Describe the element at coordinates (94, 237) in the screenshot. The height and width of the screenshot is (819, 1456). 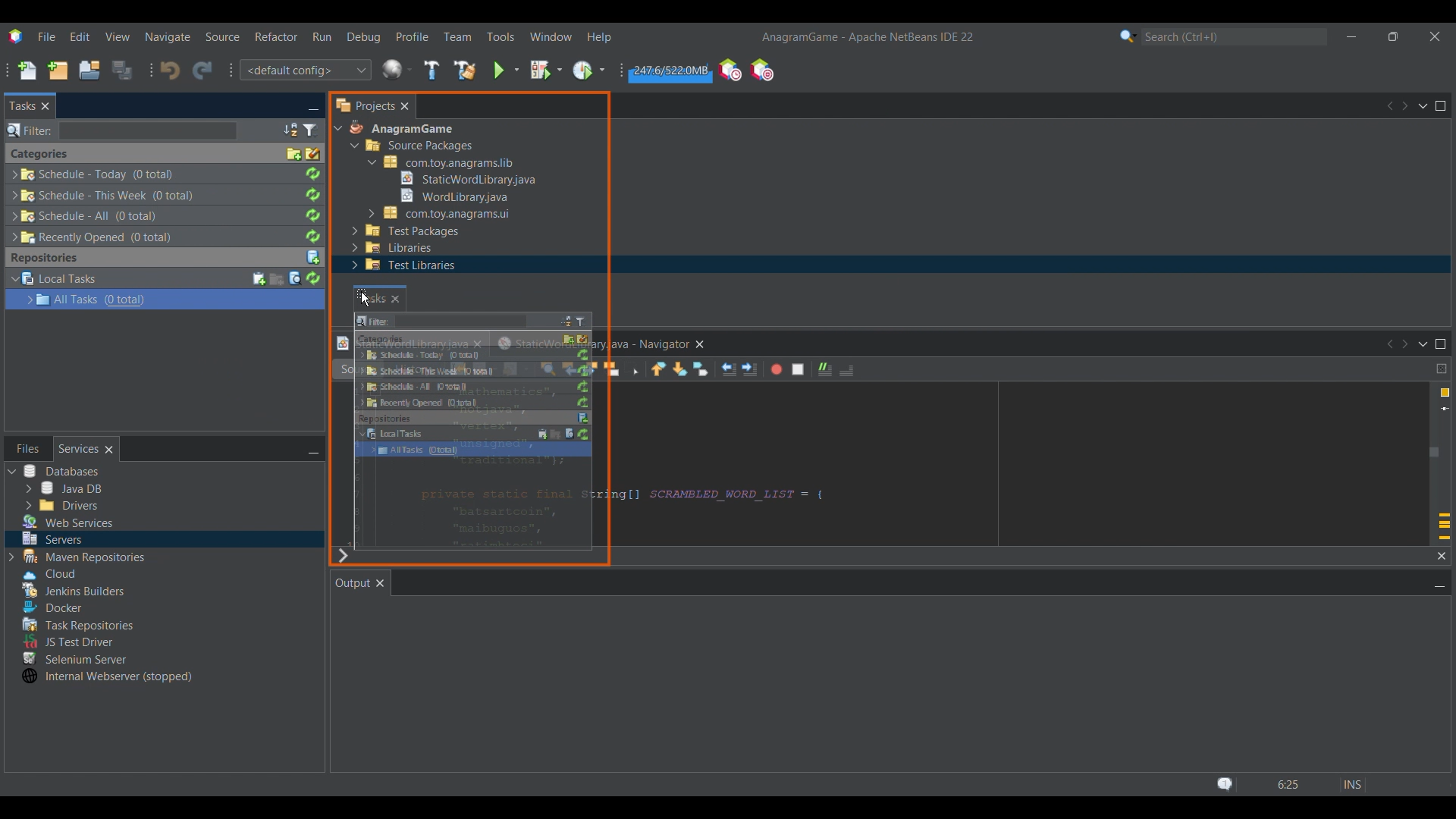
I see `` at that location.